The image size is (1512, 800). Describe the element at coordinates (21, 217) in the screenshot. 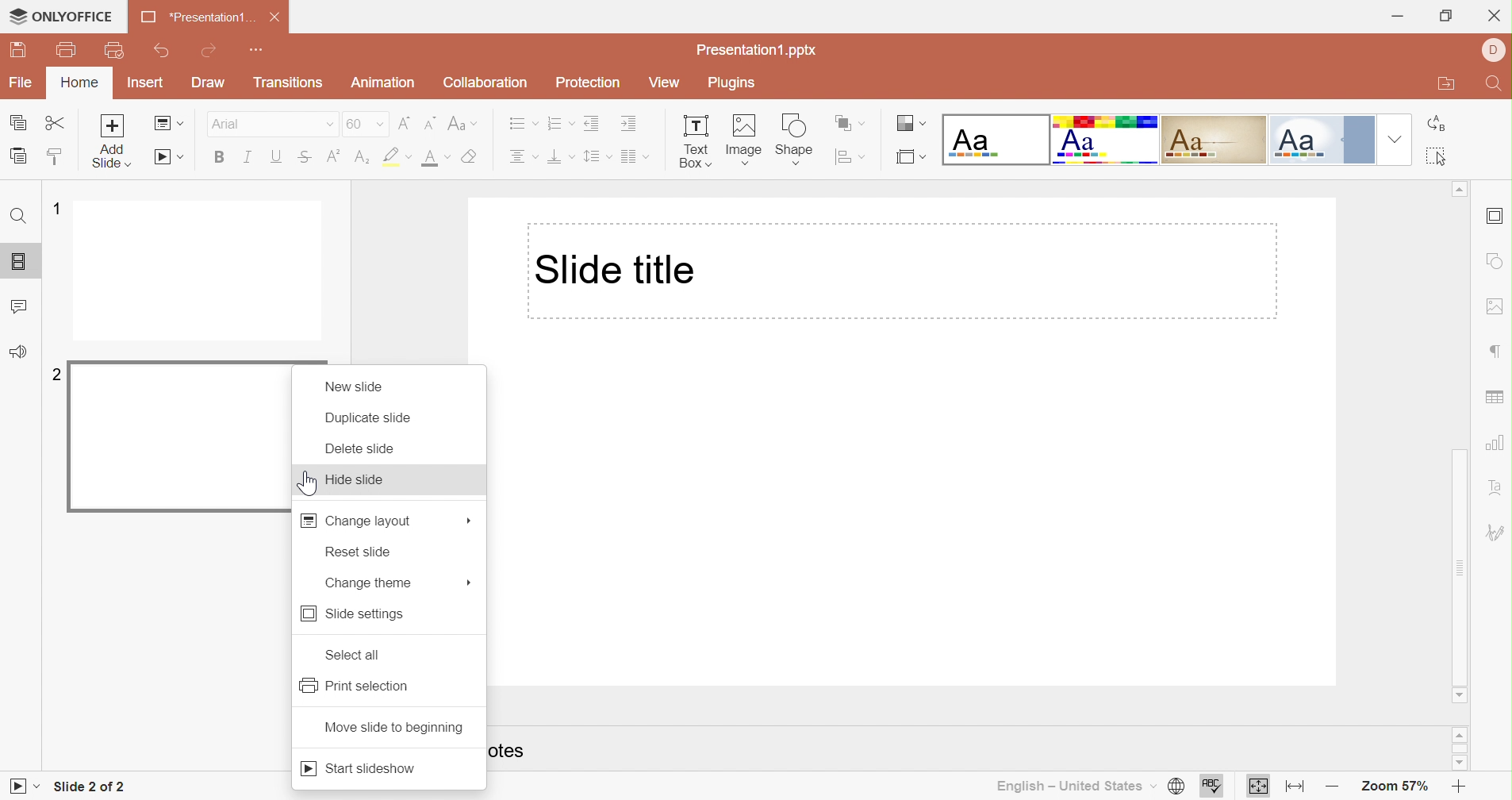

I see `Find` at that location.